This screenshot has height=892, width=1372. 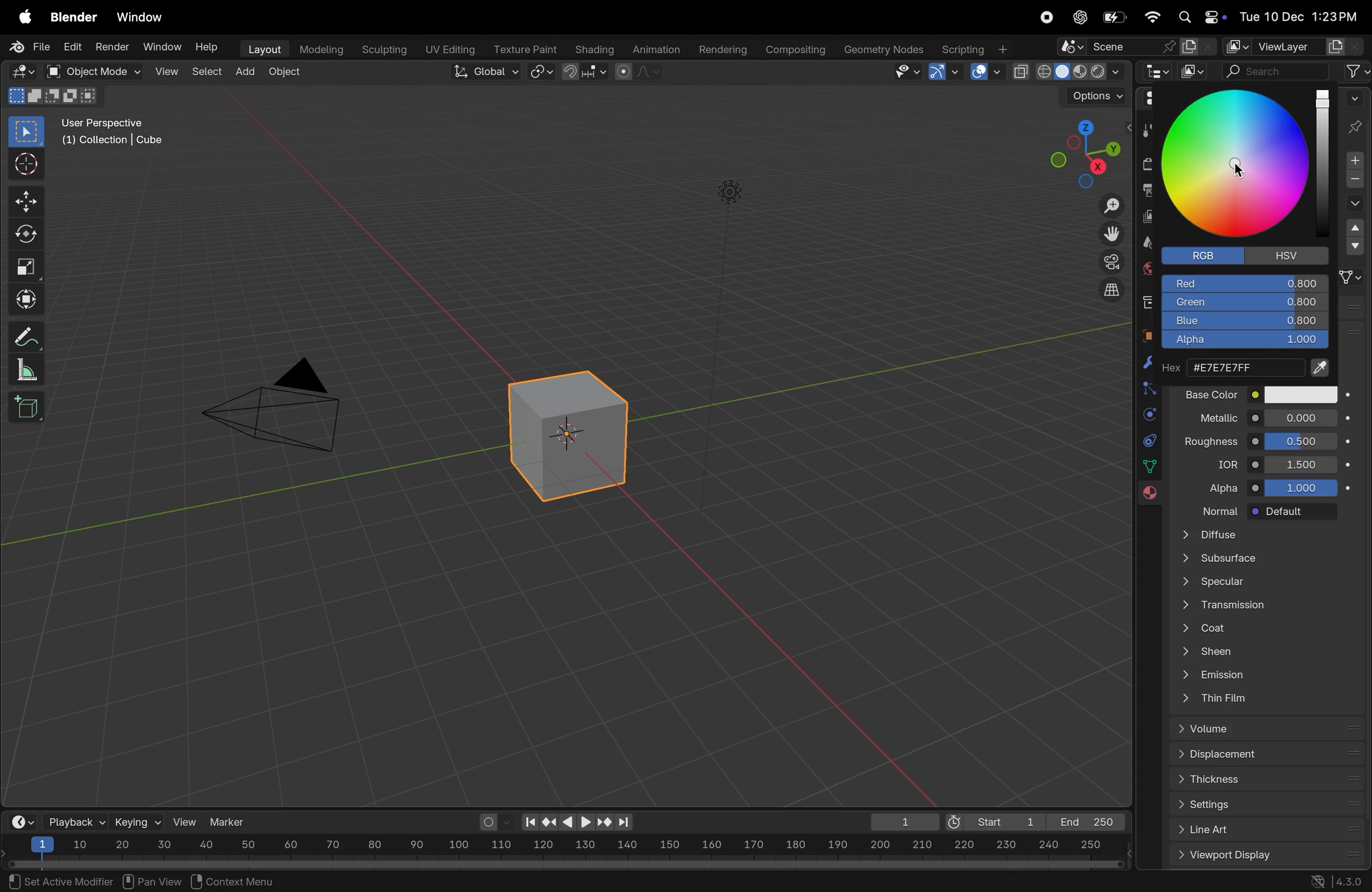 What do you see at coordinates (523, 46) in the screenshot?
I see `texture paint` at bounding box center [523, 46].